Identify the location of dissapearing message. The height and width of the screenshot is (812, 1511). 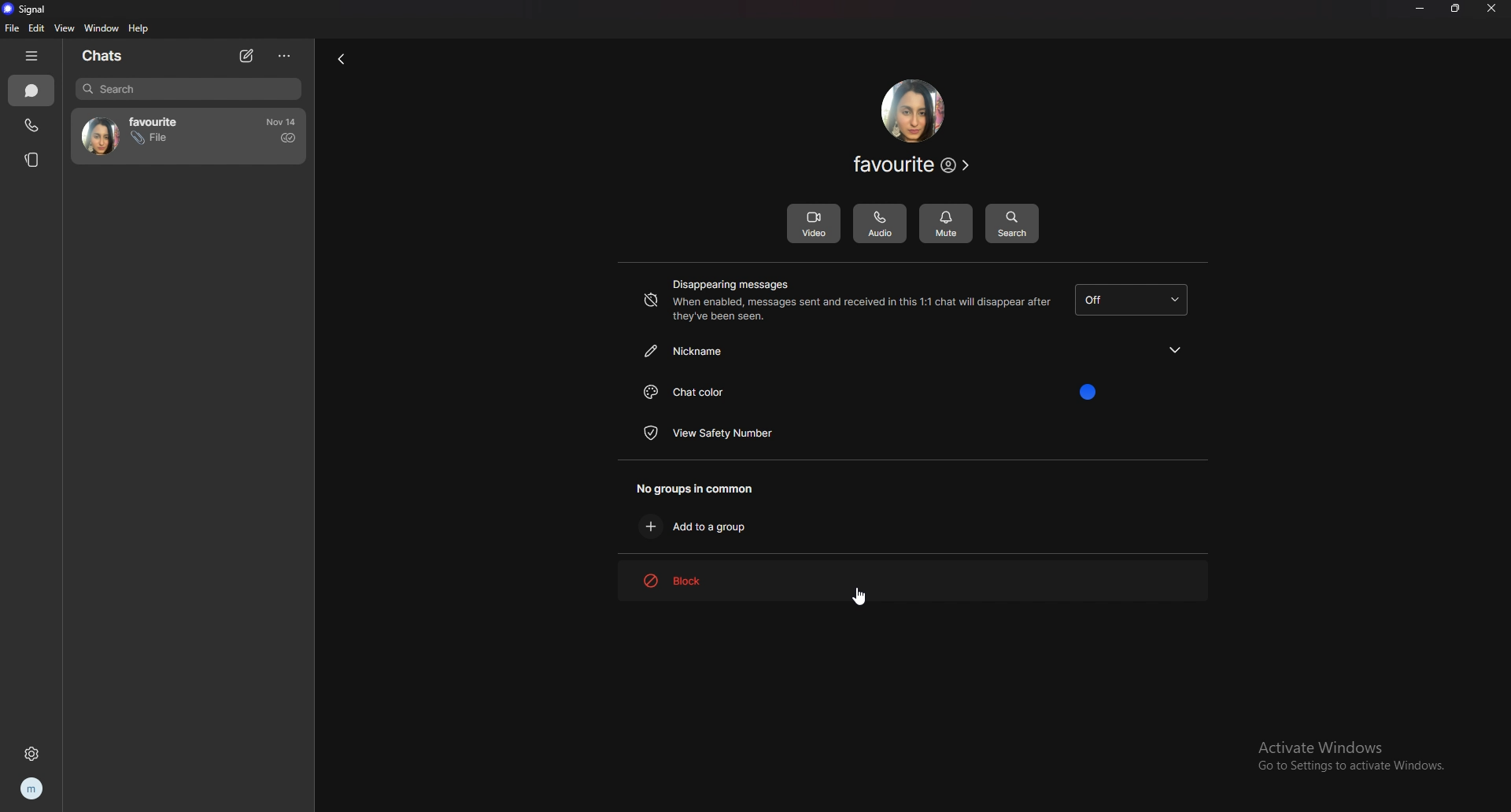
(1134, 300).